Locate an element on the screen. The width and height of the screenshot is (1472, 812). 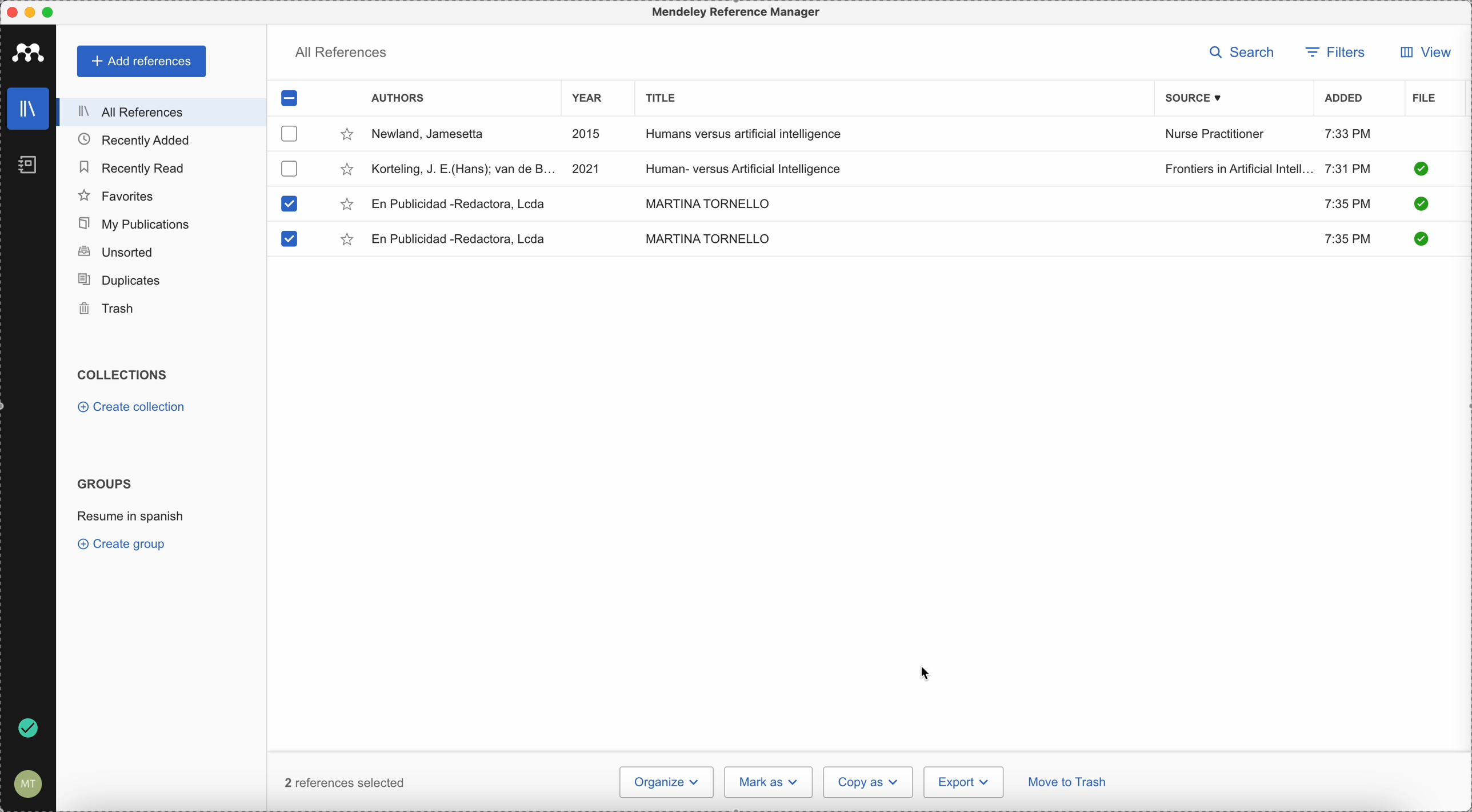
check it is located at coordinates (1421, 169).